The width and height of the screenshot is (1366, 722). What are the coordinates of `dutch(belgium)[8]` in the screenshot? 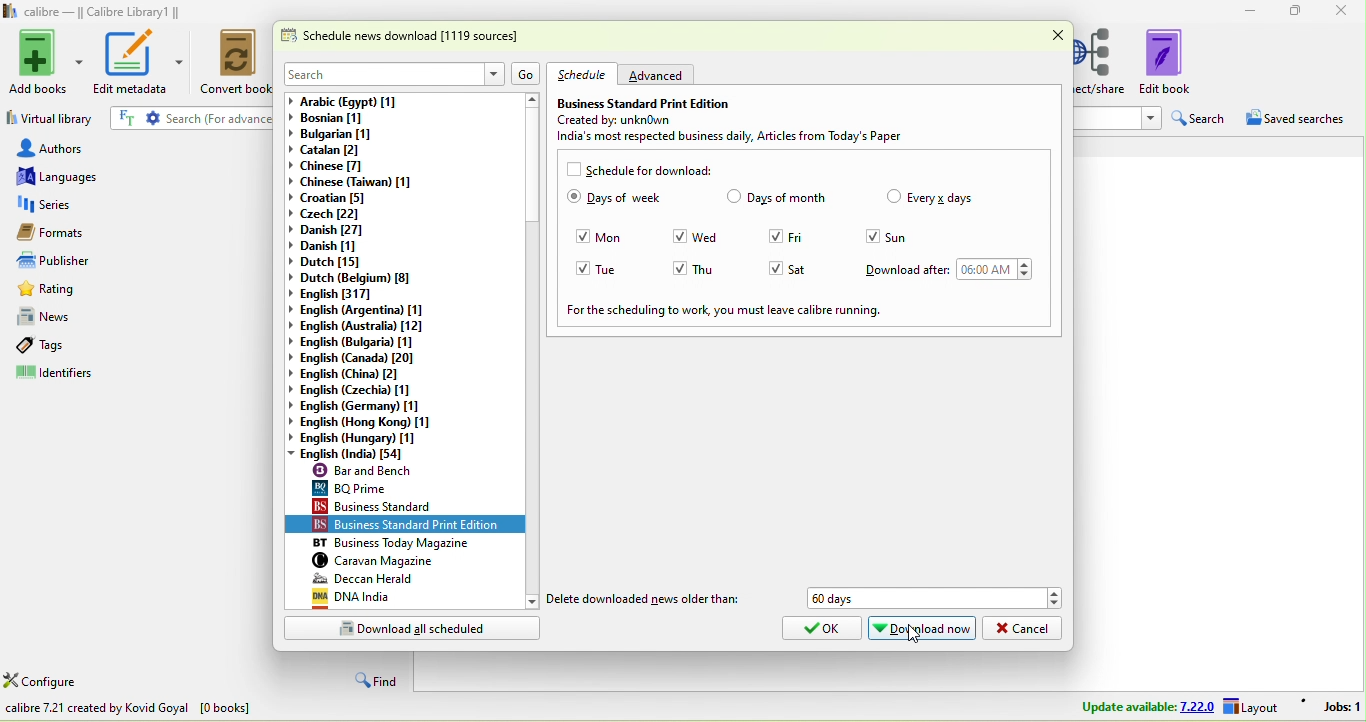 It's located at (354, 279).